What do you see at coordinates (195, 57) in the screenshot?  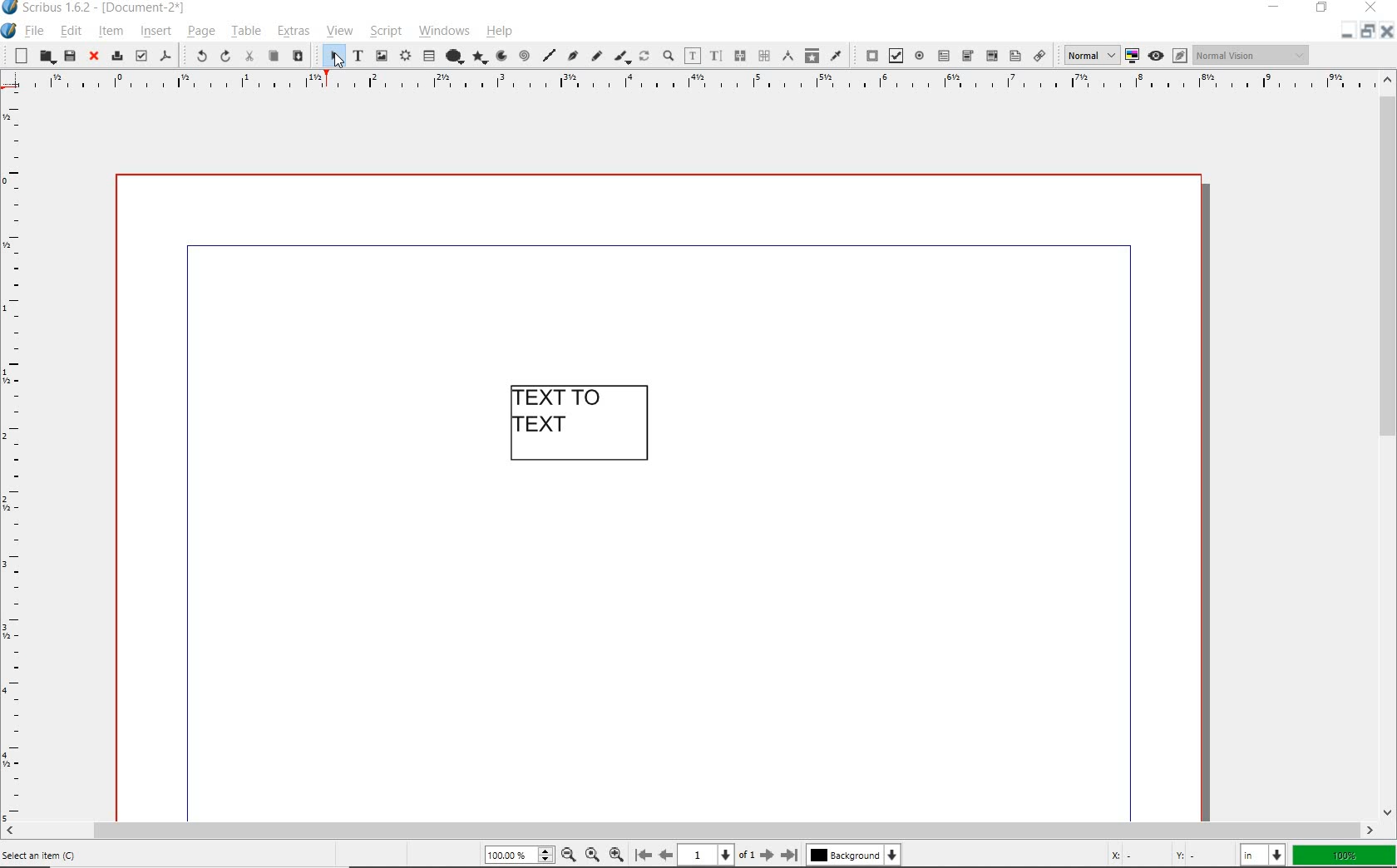 I see `undo` at bounding box center [195, 57].